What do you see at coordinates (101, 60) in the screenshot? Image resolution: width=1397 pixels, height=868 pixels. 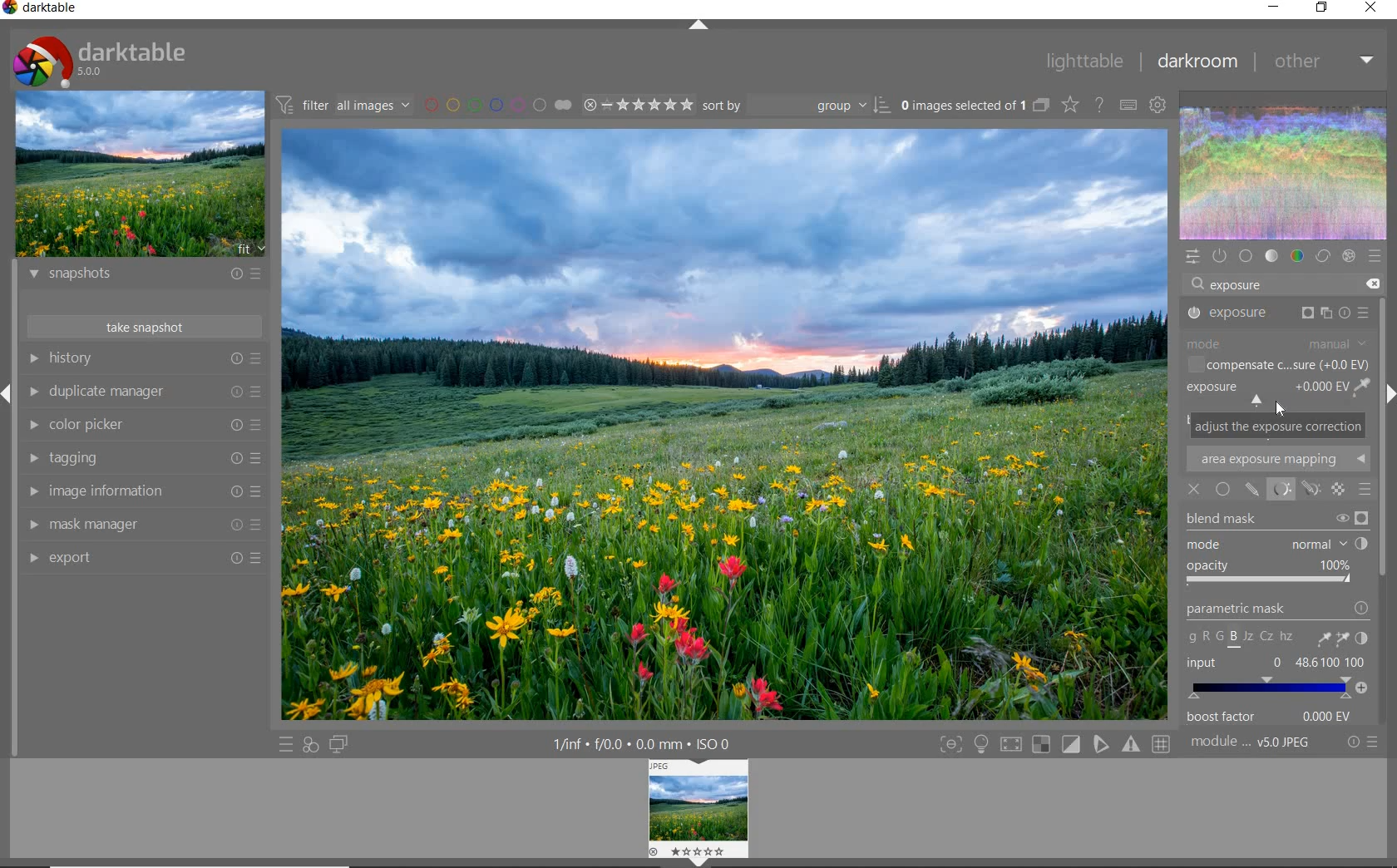 I see `system logo` at bounding box center [101, 60].